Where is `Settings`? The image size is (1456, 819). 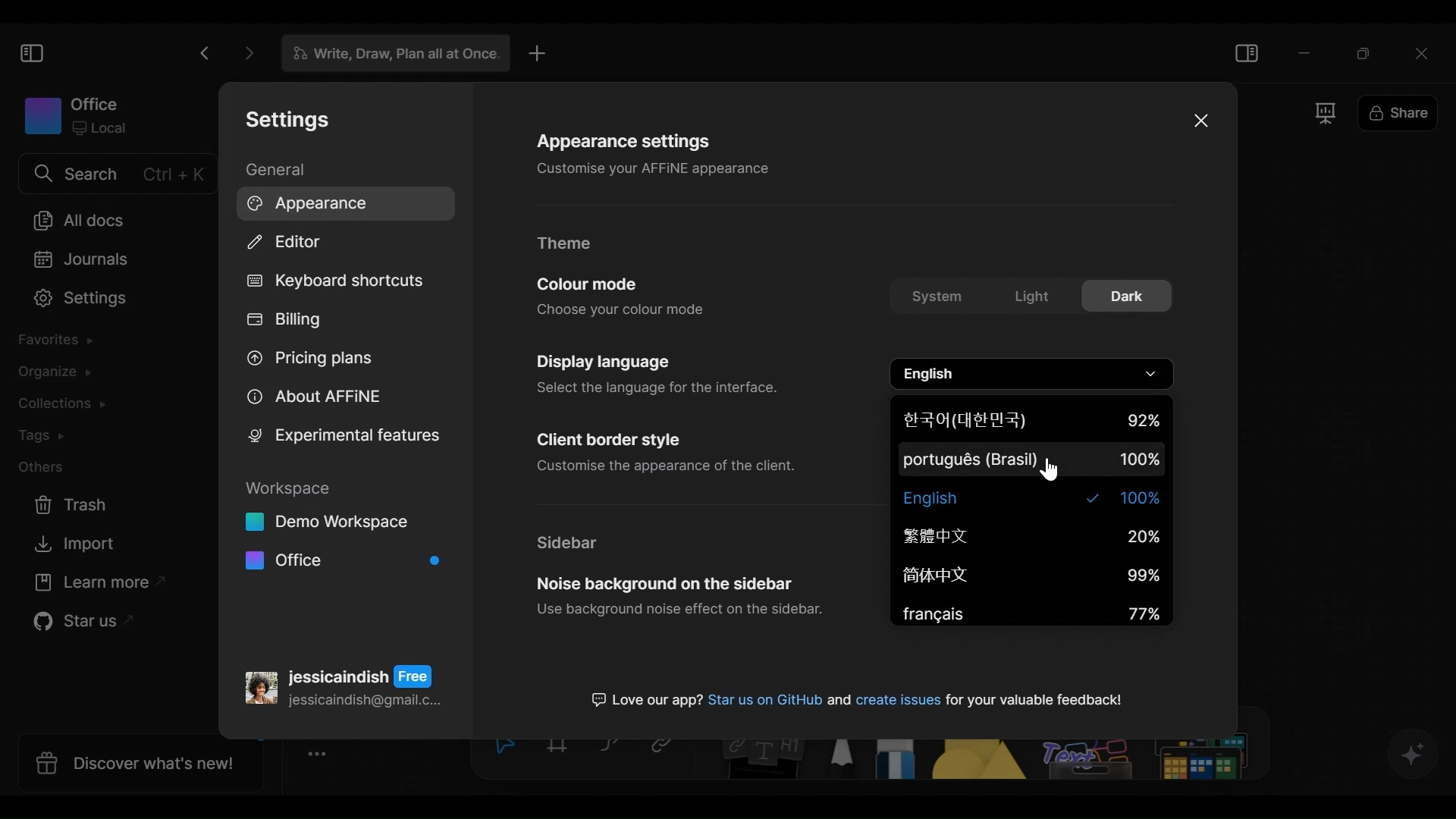
Settings is located at coordinates (284, 121).